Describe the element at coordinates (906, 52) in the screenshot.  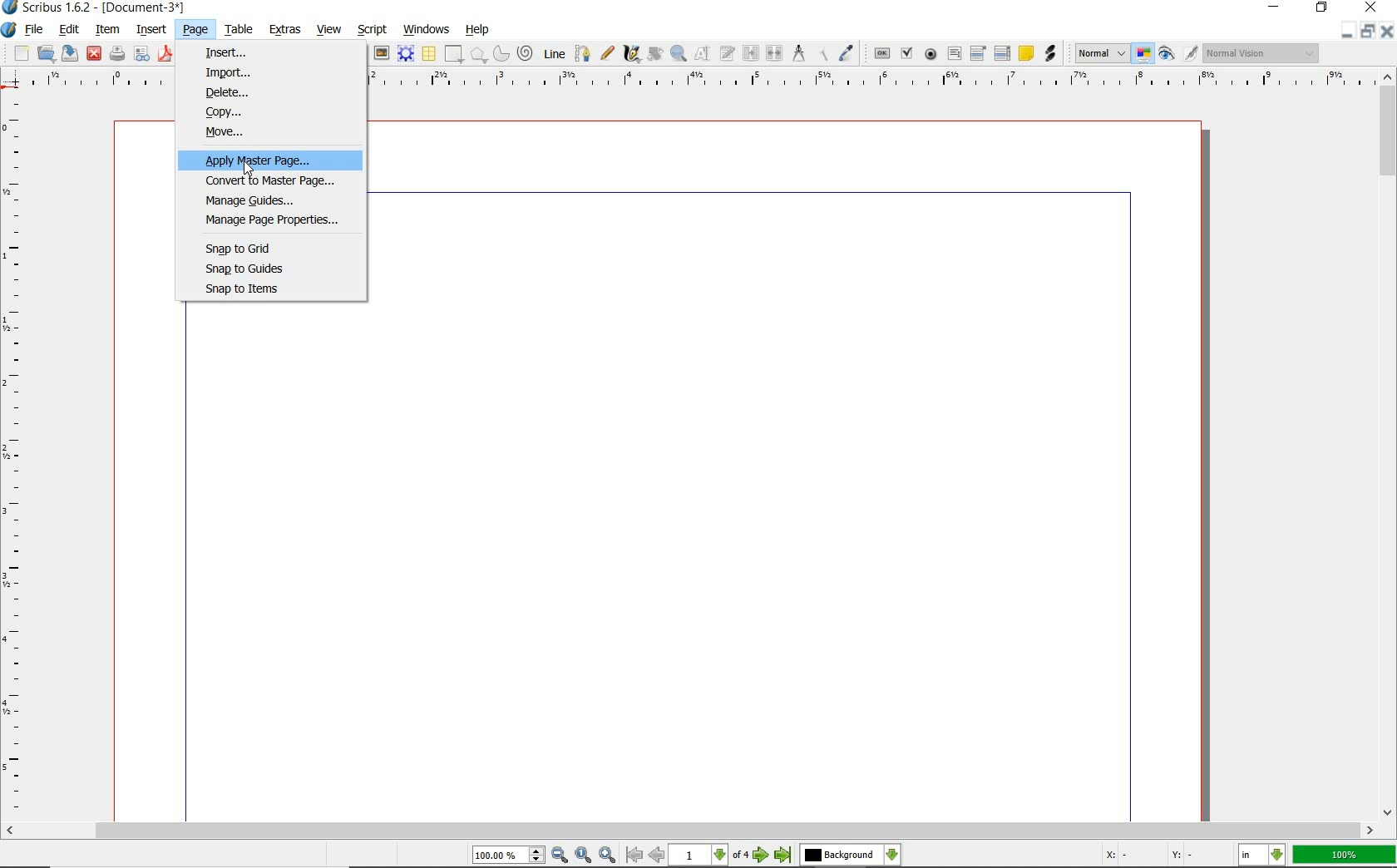
I see `pdf check box` at that location.